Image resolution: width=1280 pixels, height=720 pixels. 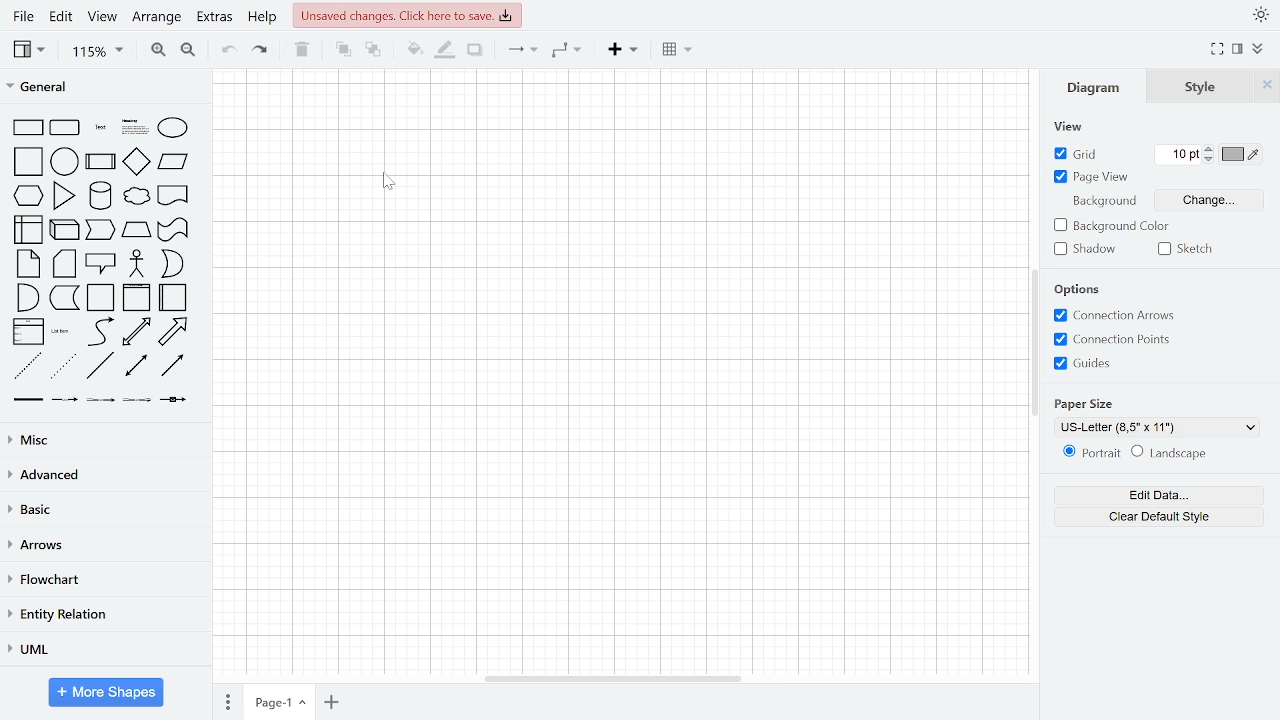 I want to click on sketch, so click(x=1189, y=249).